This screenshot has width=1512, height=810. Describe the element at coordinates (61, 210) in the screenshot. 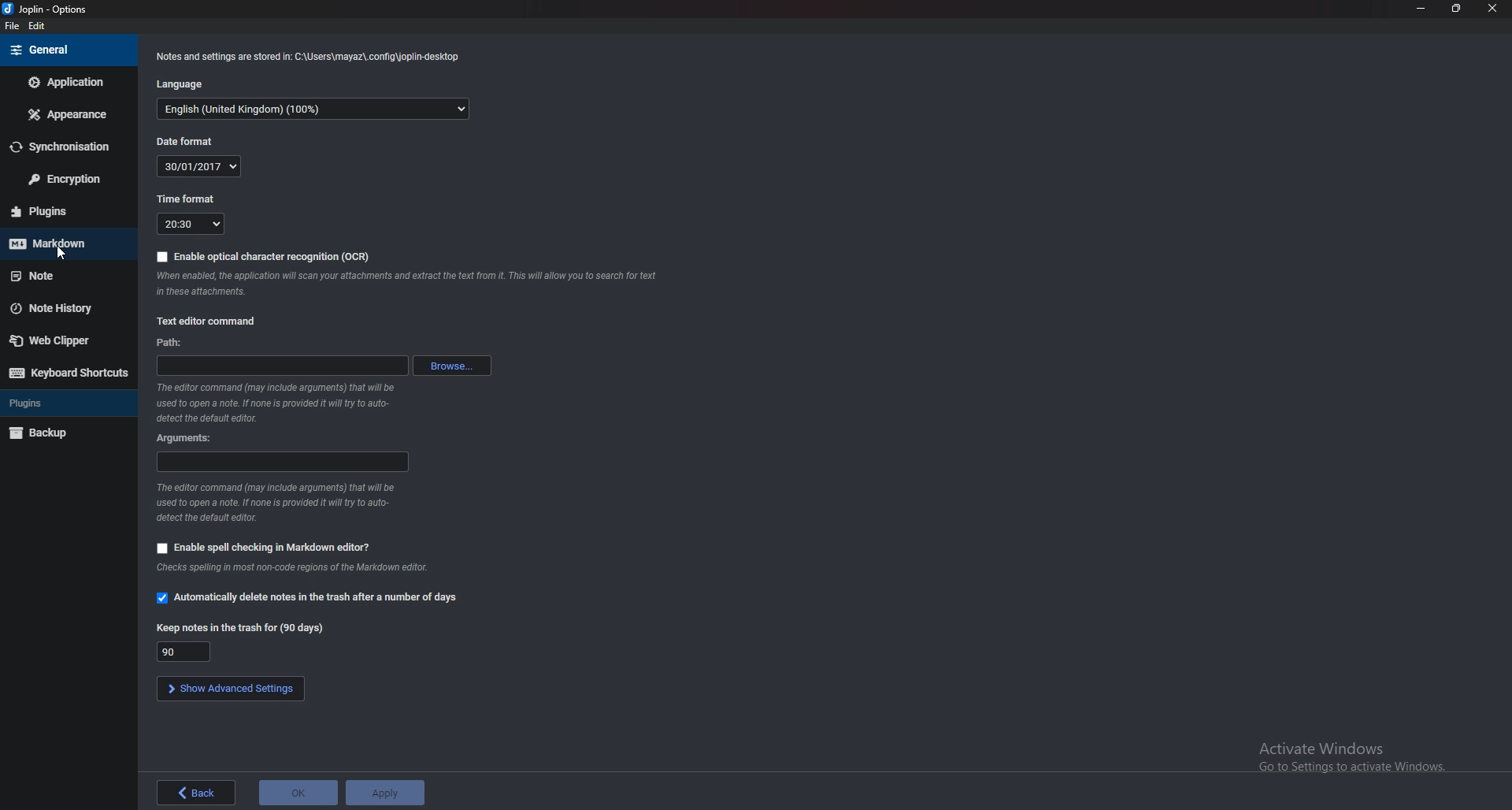

I see `plugins` at that location.